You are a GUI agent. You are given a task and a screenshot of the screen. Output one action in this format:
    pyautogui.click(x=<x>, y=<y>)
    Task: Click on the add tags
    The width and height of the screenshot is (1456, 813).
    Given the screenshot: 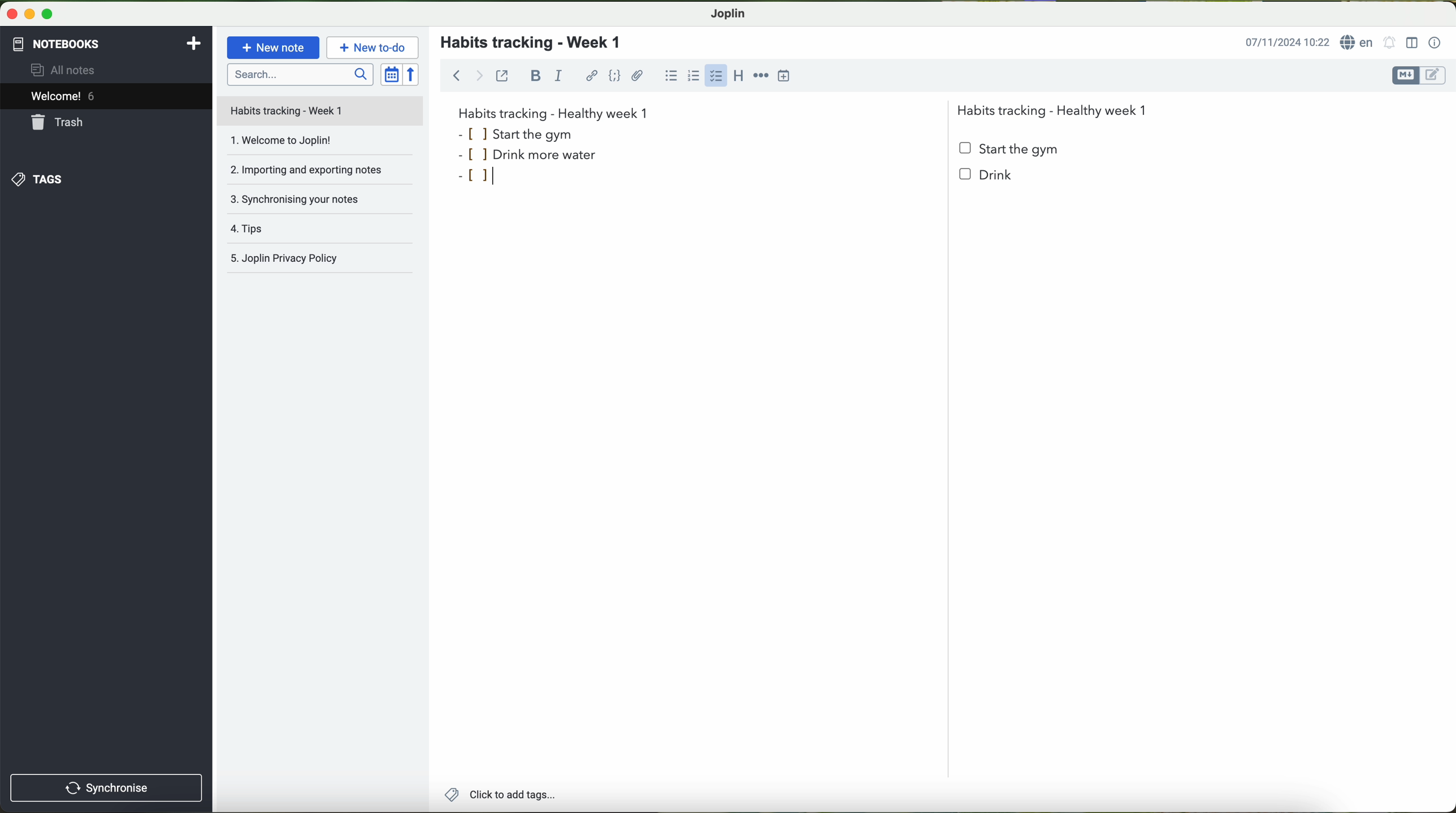 What is the action you would take?
    pyautogui.click(x=497, y=795)
    